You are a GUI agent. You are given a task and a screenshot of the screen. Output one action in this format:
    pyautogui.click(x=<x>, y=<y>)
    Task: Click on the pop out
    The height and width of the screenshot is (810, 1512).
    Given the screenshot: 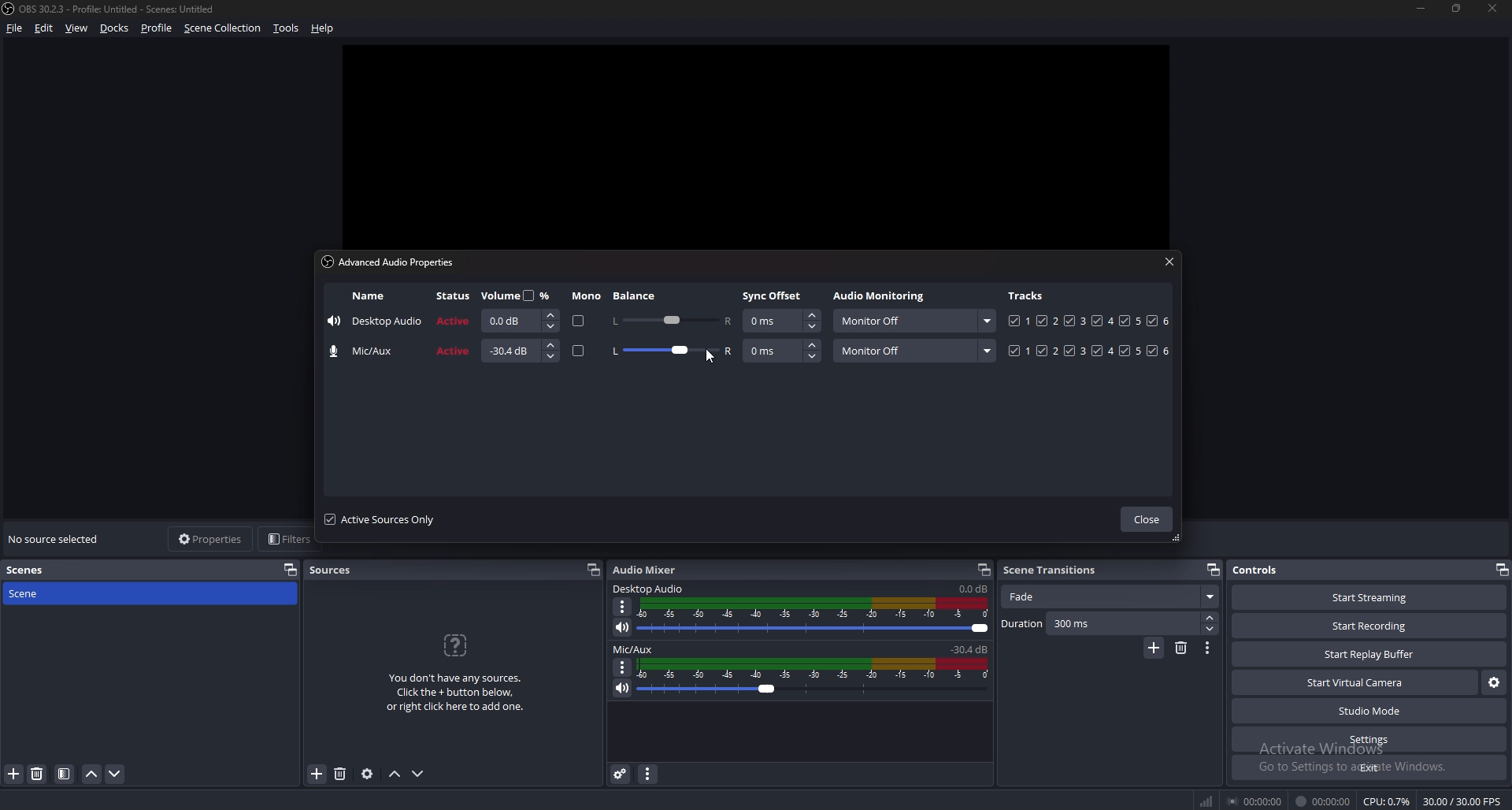 What is the action you would take?
    pyautogui.click(x=290, y=570)
    